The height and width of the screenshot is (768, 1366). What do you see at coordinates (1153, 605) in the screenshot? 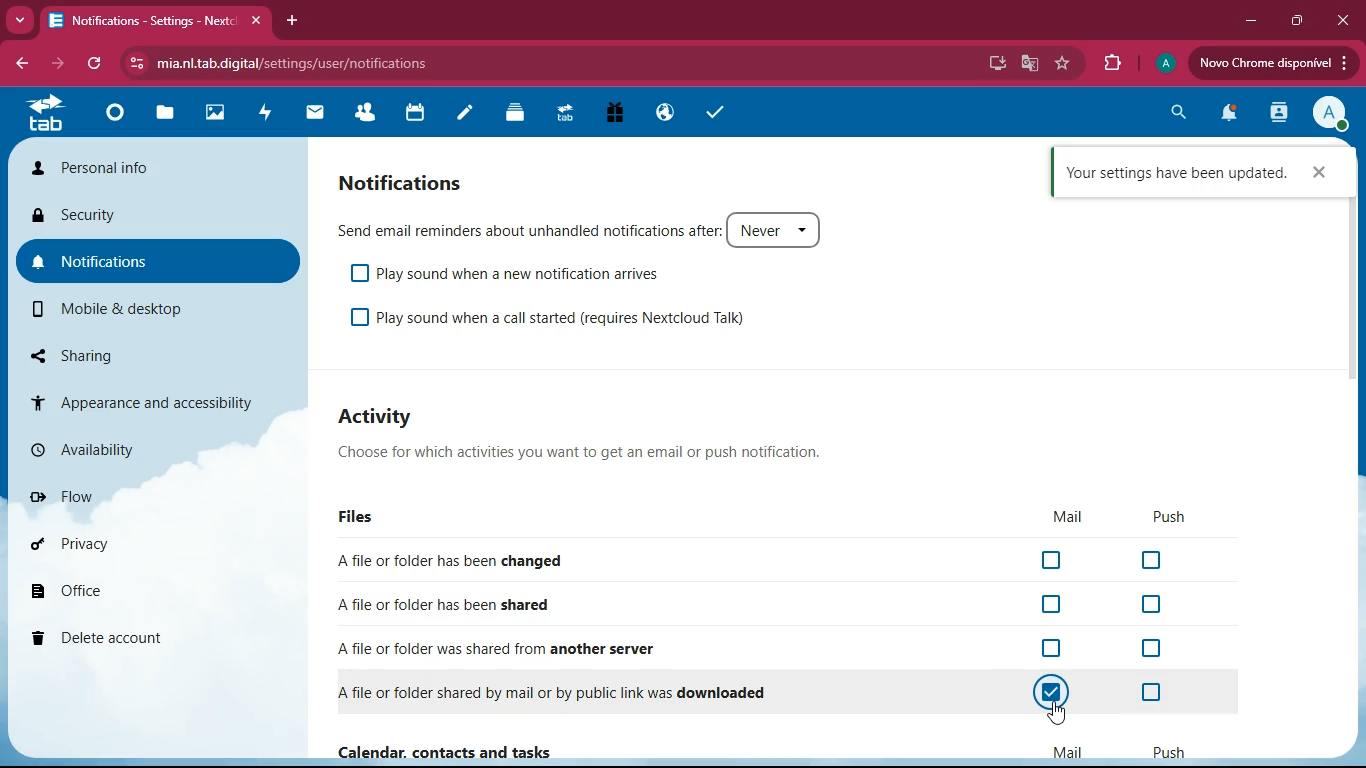
I see `off` at bounding box center [1153, 605].